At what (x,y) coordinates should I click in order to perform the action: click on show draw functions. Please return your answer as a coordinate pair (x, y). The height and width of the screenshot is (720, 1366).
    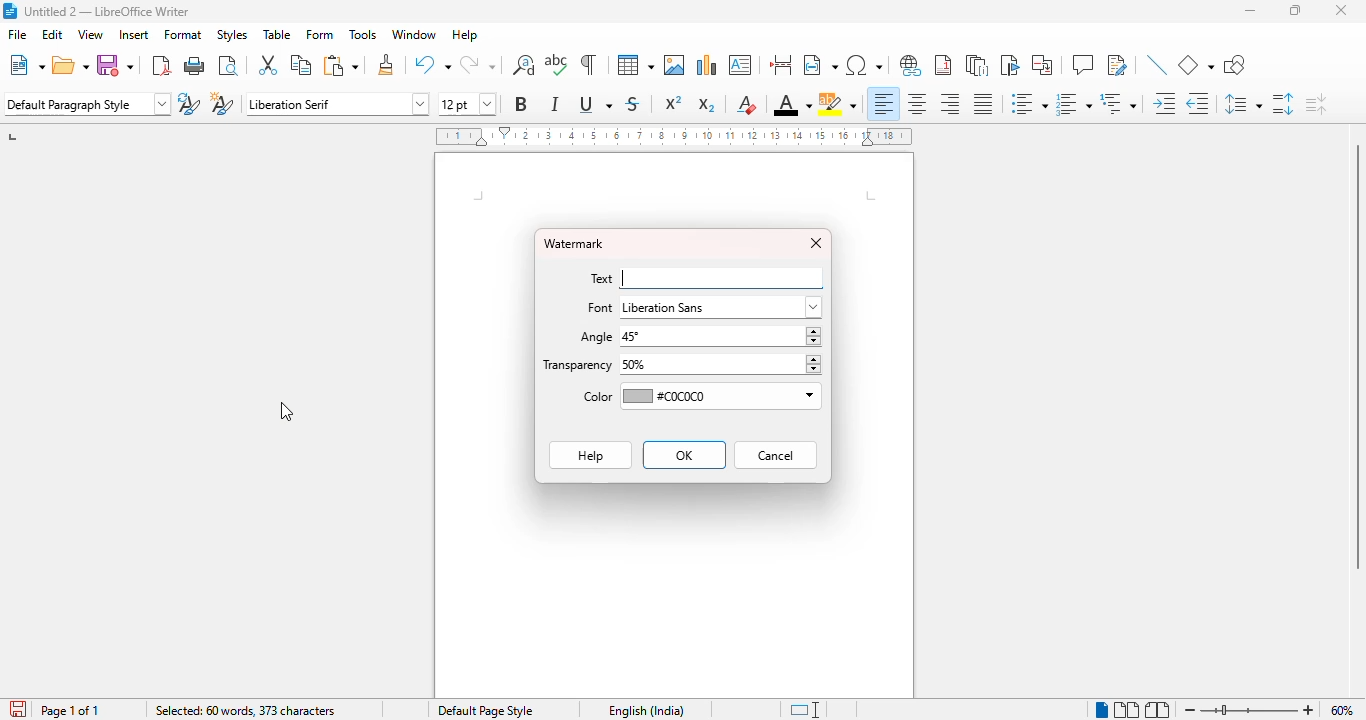
    Looking at the image, I should click on (1235, 65).